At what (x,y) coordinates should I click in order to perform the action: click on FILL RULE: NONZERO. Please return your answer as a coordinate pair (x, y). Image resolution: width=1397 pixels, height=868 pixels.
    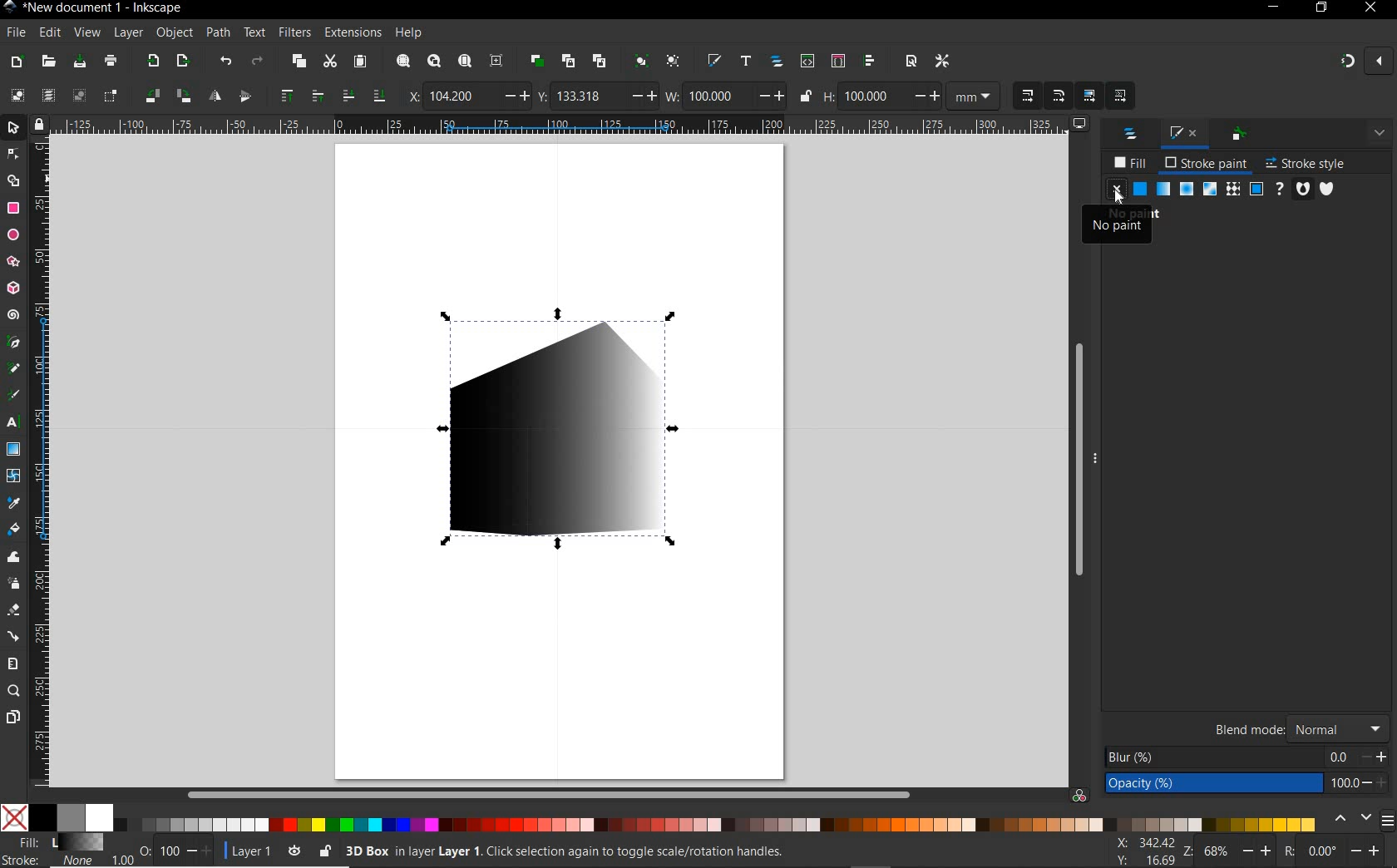
    Looking at the image, I should click on (1327, 188).